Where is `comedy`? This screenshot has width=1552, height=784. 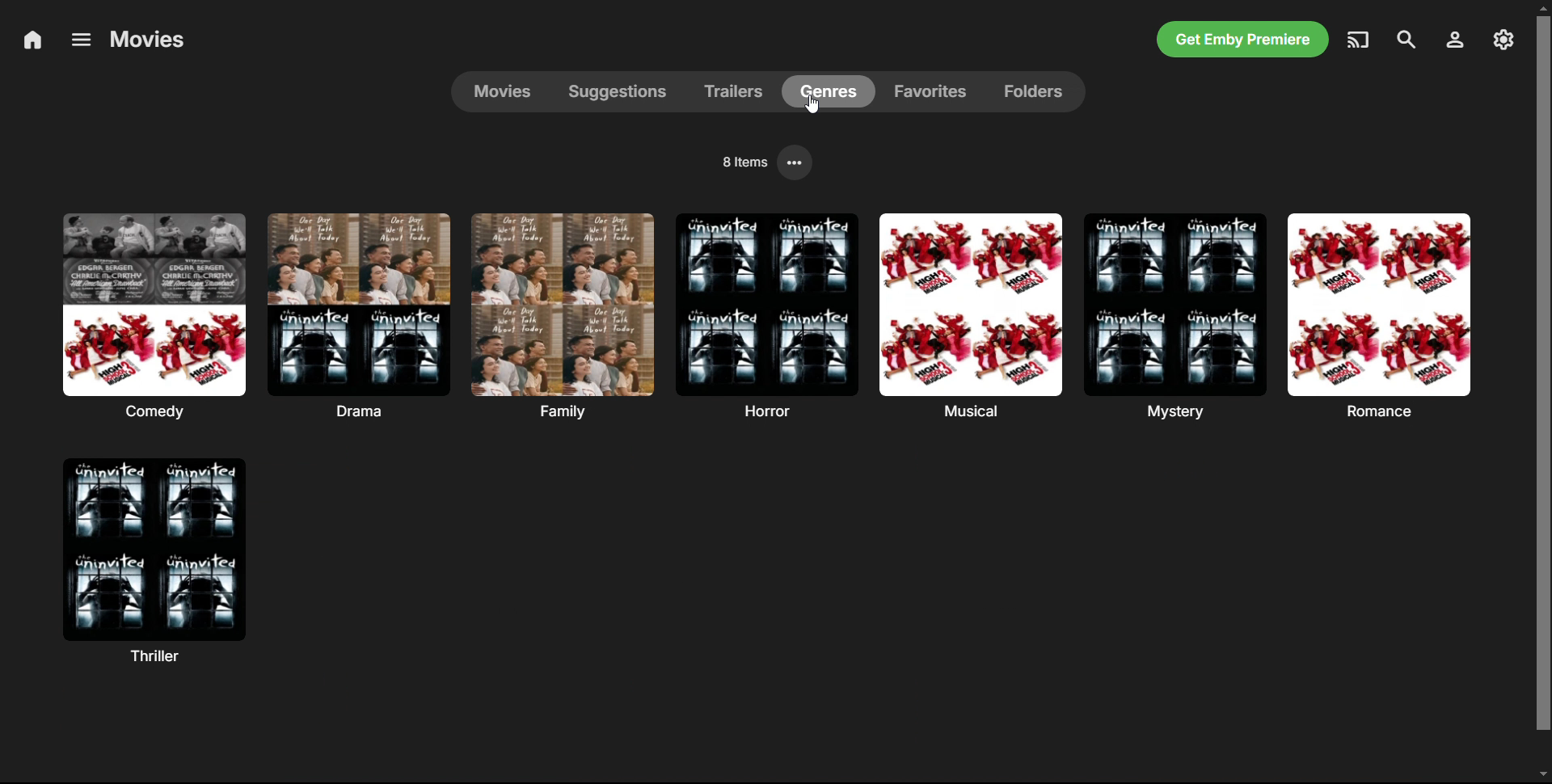 comedy is located at coordinates (153, 316).